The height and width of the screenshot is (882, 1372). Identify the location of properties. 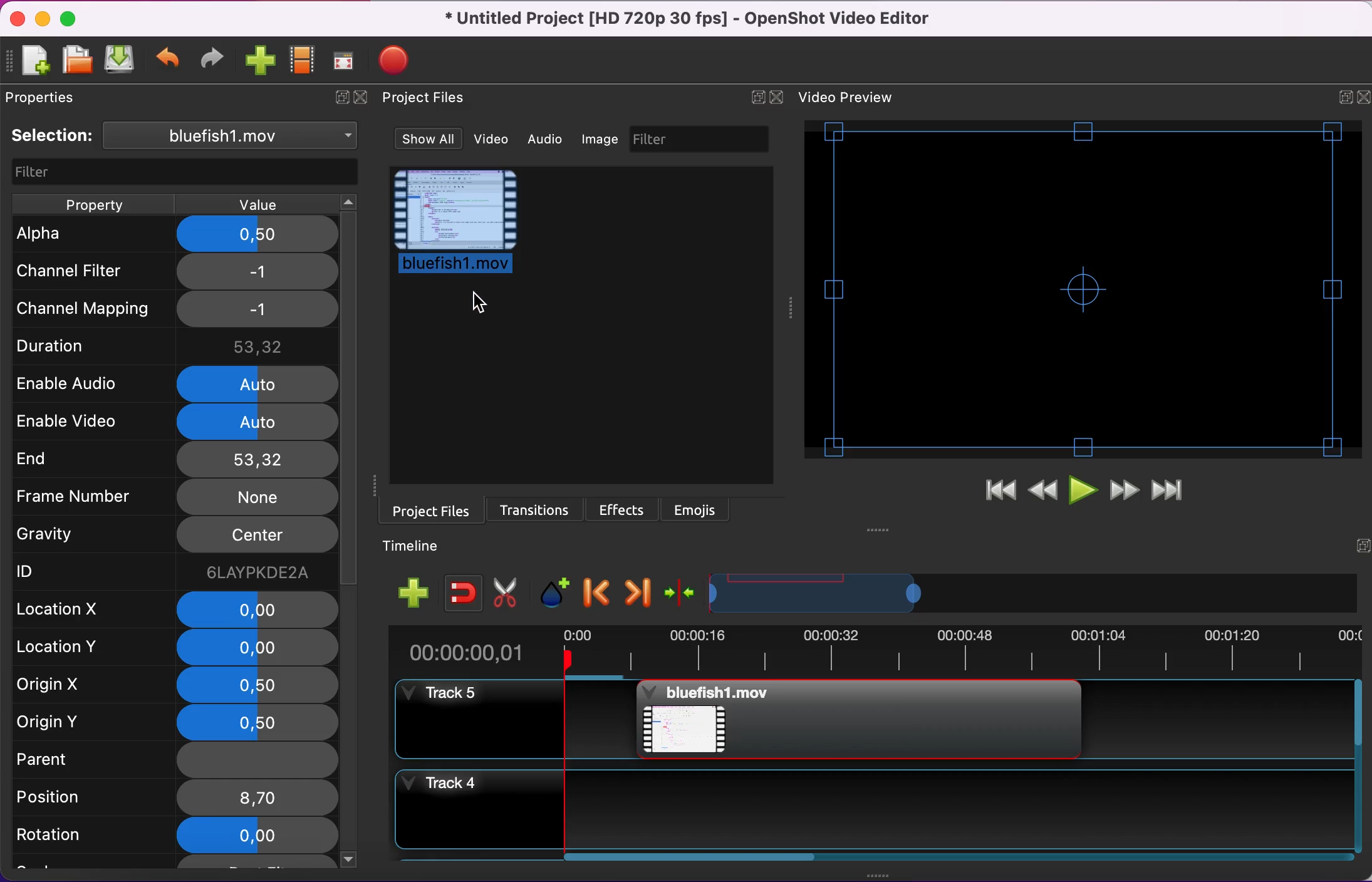
(46, 101).